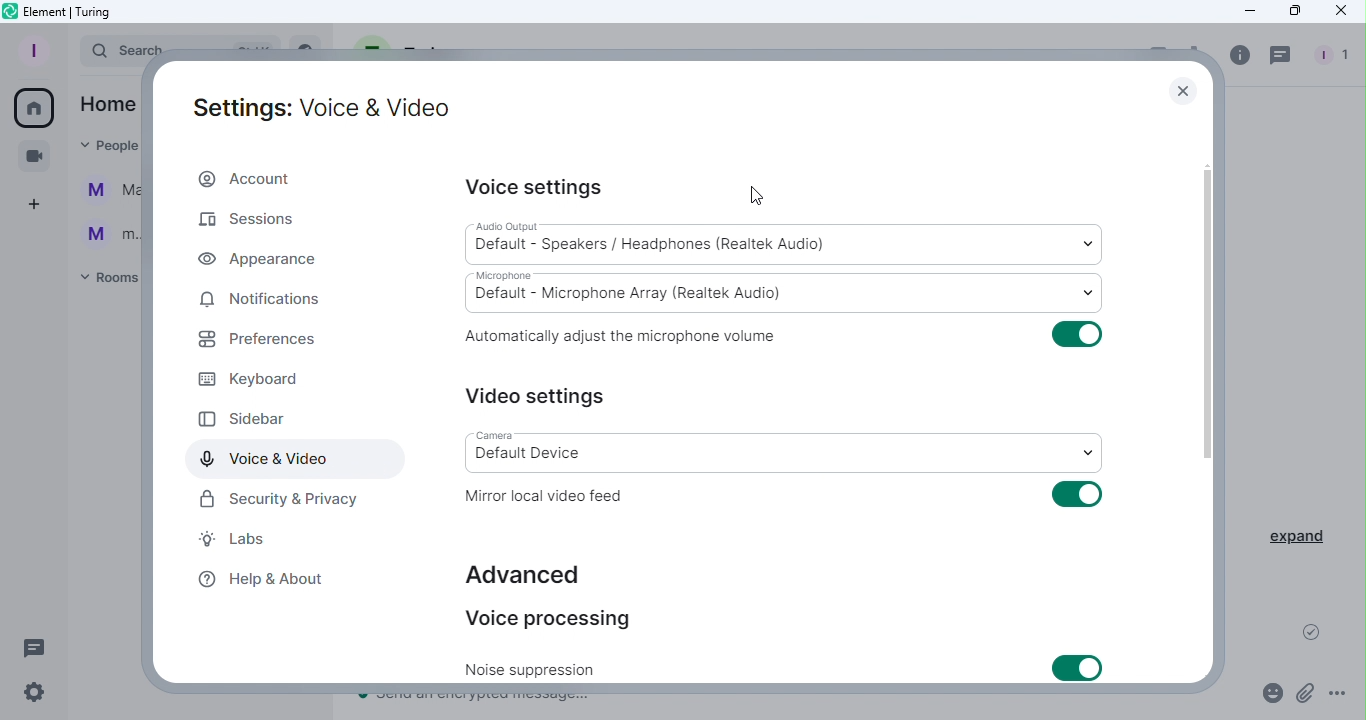 The height and width of the screenshot is (720, 1366). What do you see at coordinates (532, 188) in the screenshot?
I see `Voice settings` at bounding box center [532, 188].